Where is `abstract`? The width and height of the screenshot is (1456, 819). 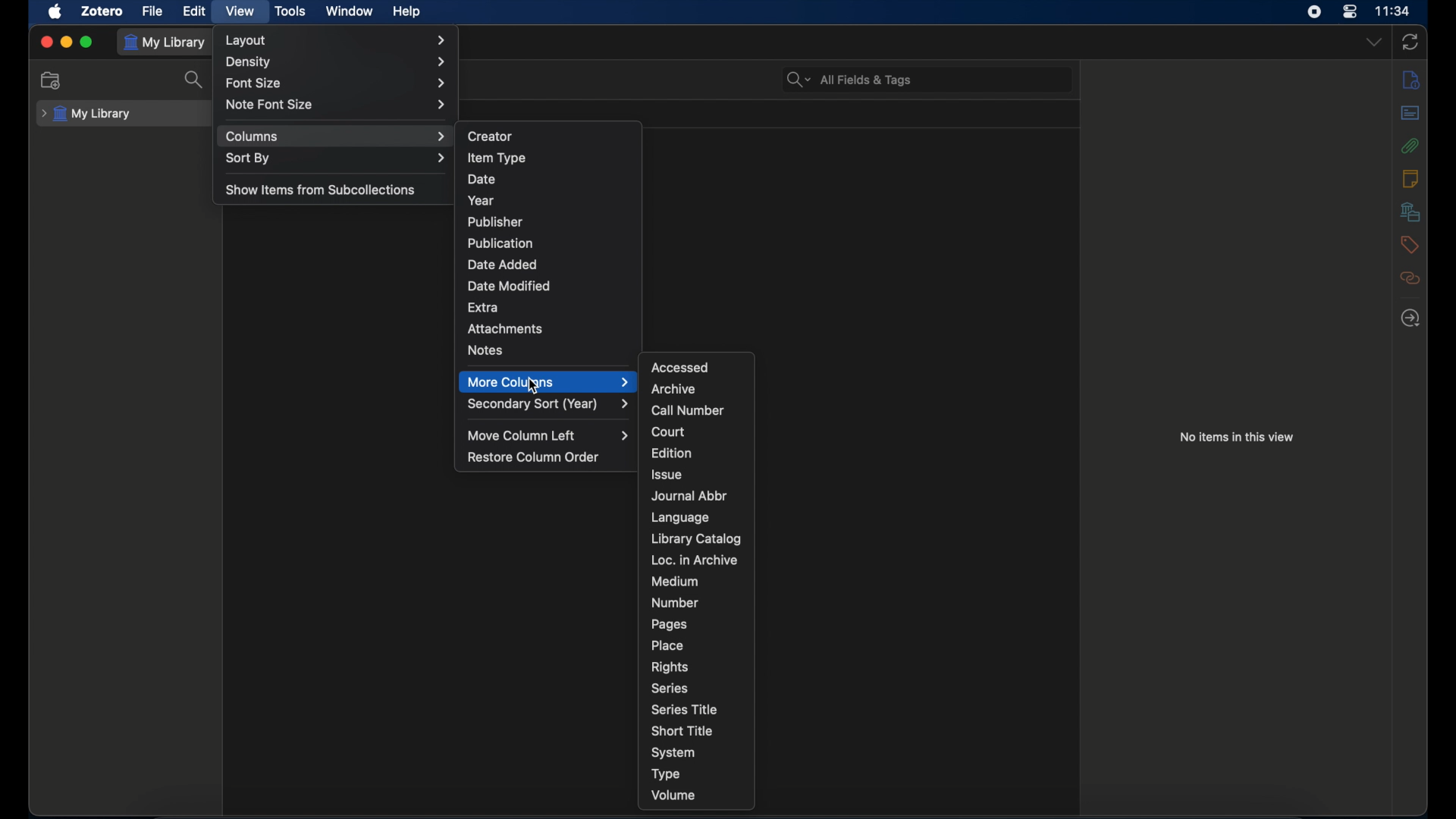 abstract is located at coordinates (1410, 113).